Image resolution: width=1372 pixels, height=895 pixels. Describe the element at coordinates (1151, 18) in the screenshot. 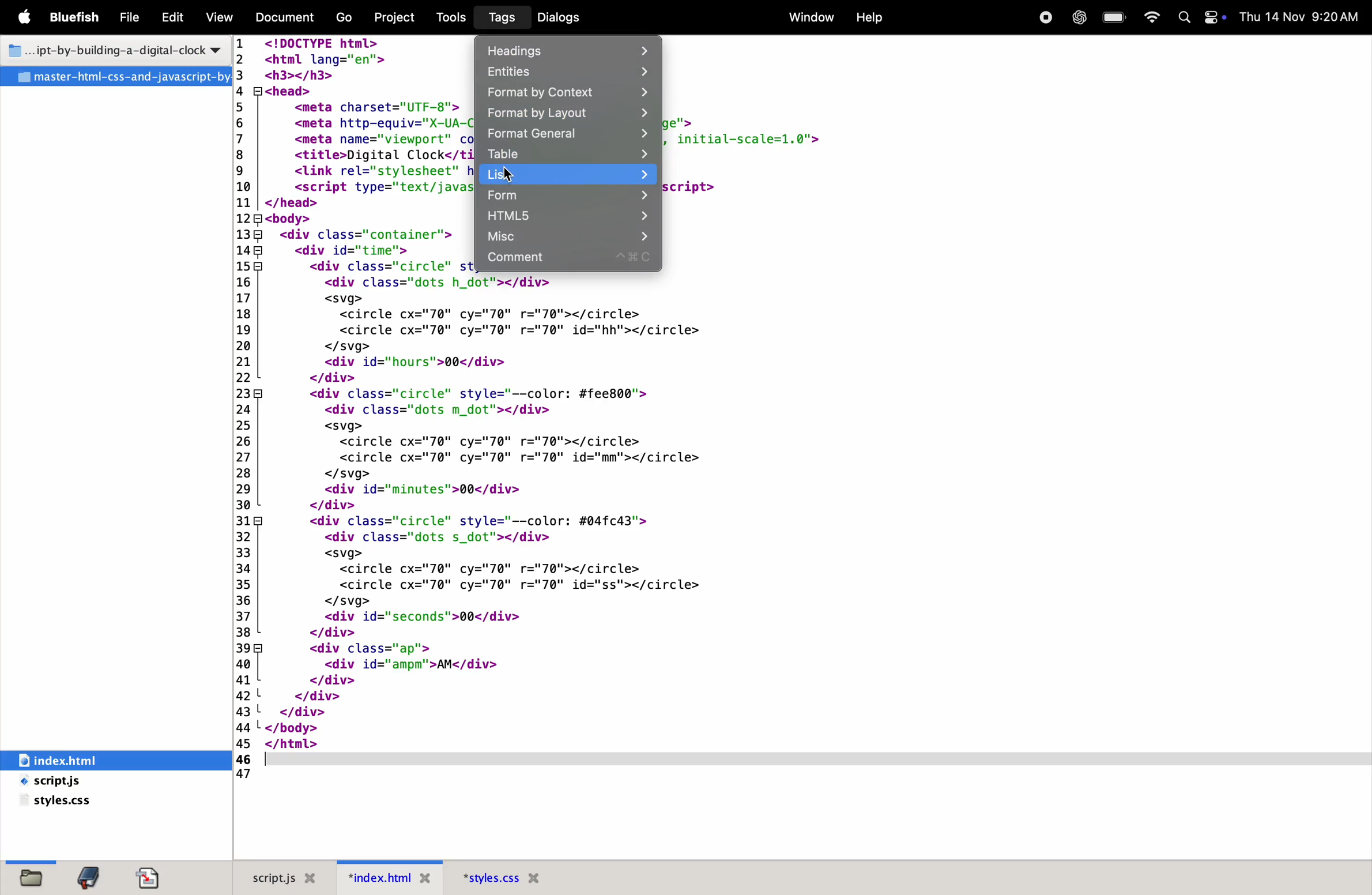

I see `wifi` at that location.